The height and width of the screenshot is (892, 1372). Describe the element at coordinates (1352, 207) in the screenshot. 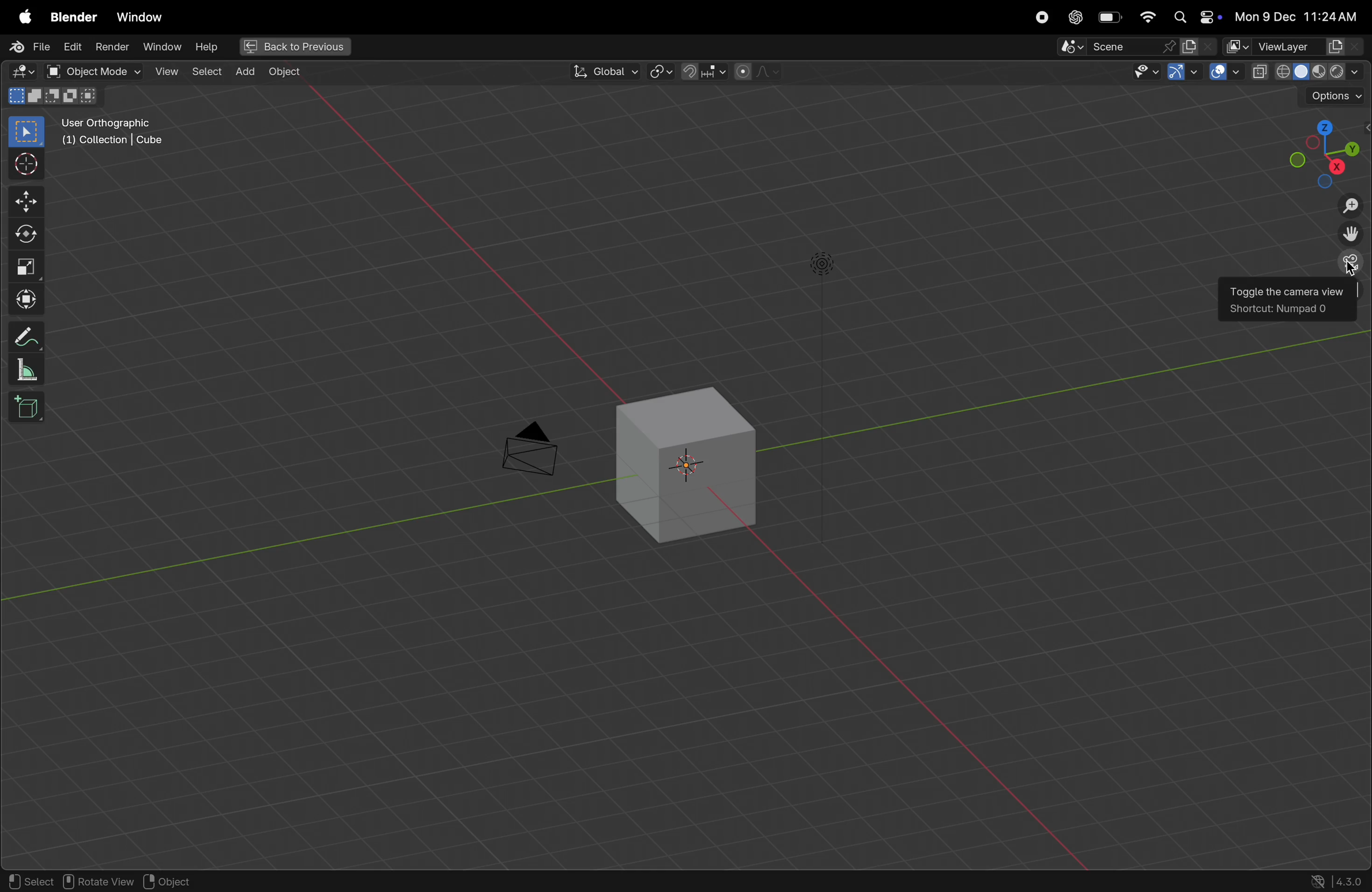

I see `zoom out` at that location.